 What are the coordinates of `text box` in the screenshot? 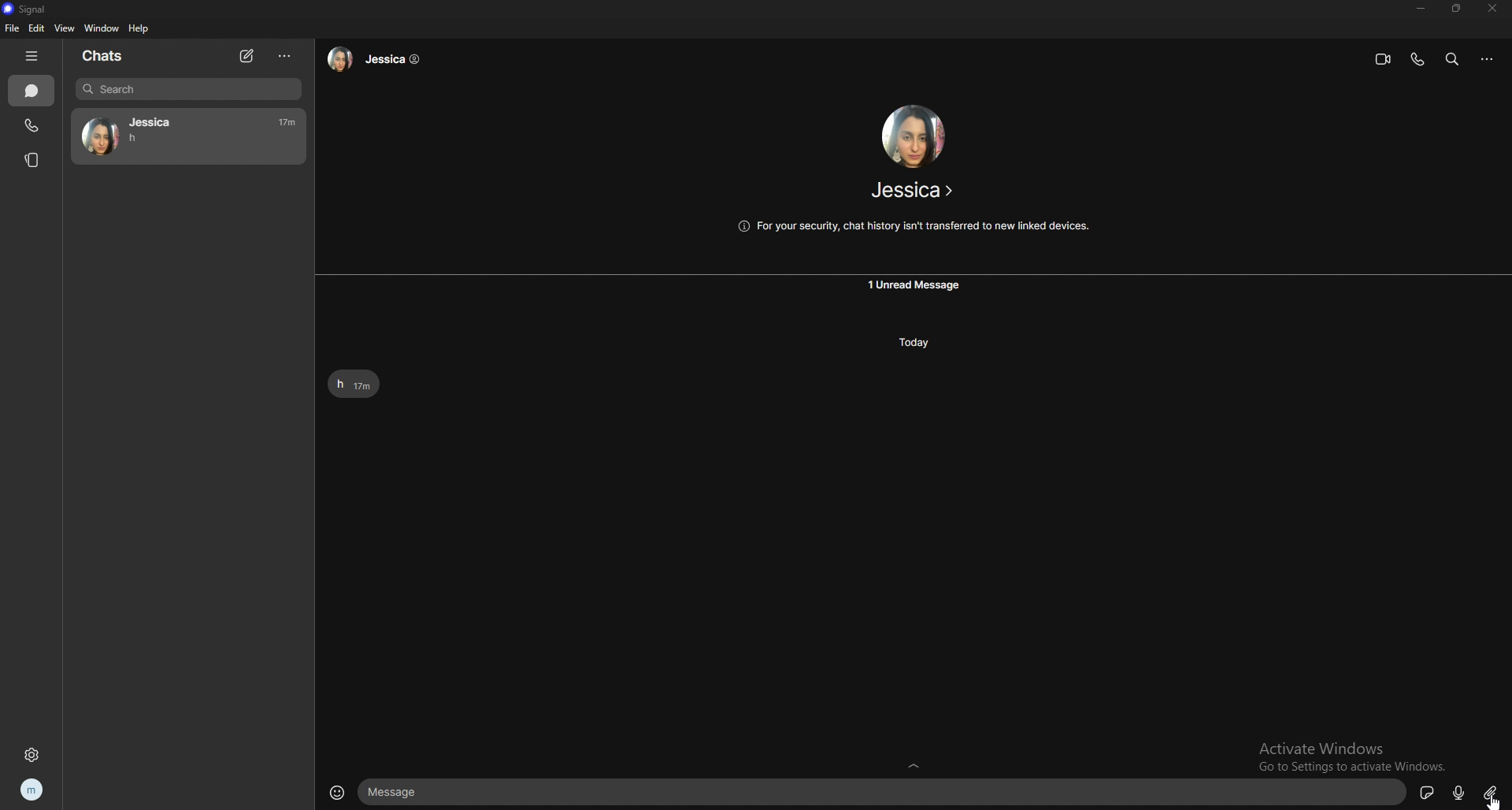 It's located at (884, 792).